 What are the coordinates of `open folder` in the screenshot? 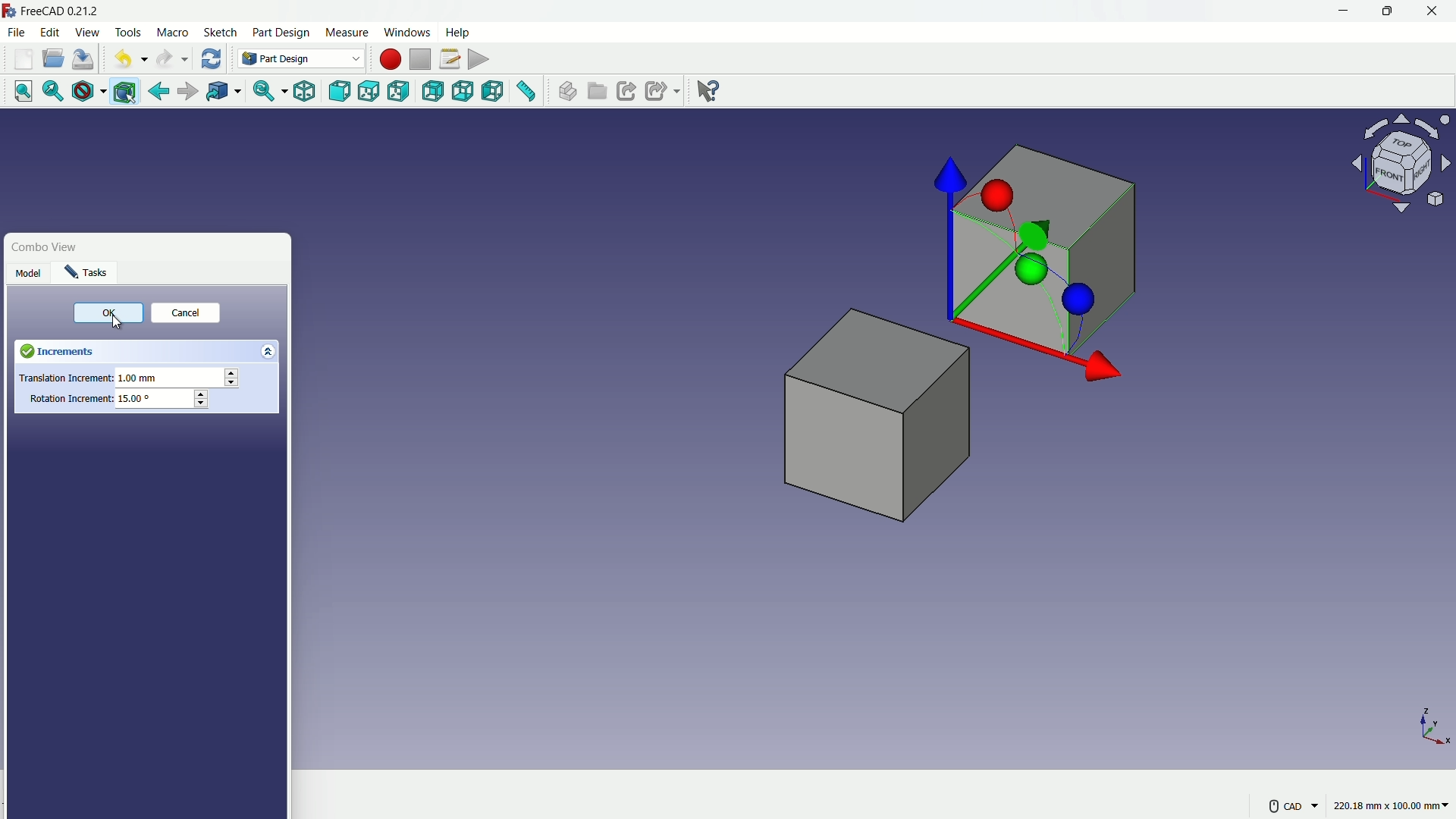 It's located at (53, 59).